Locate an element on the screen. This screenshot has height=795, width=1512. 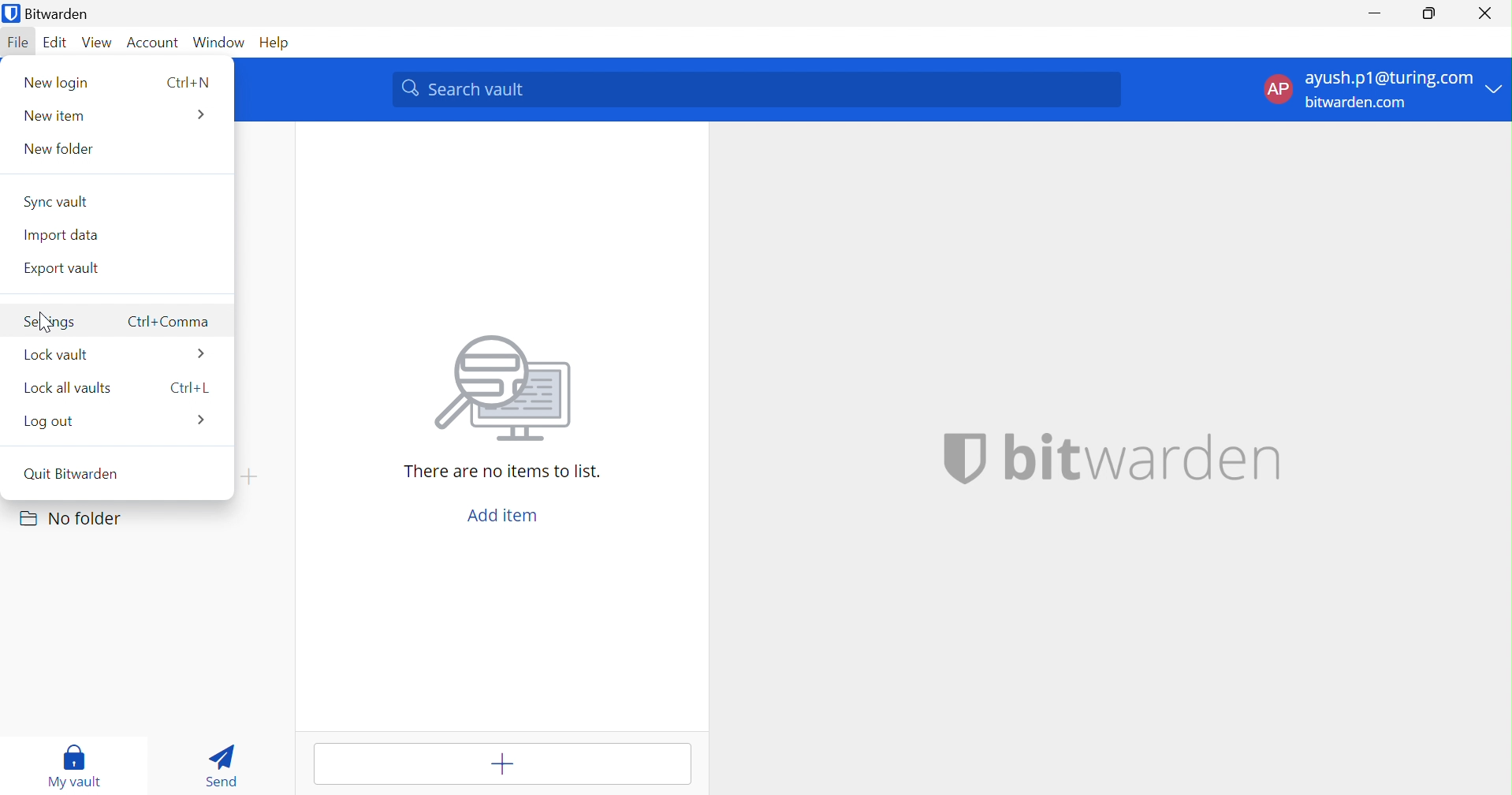
Import data is located at coordinates (61, 234).